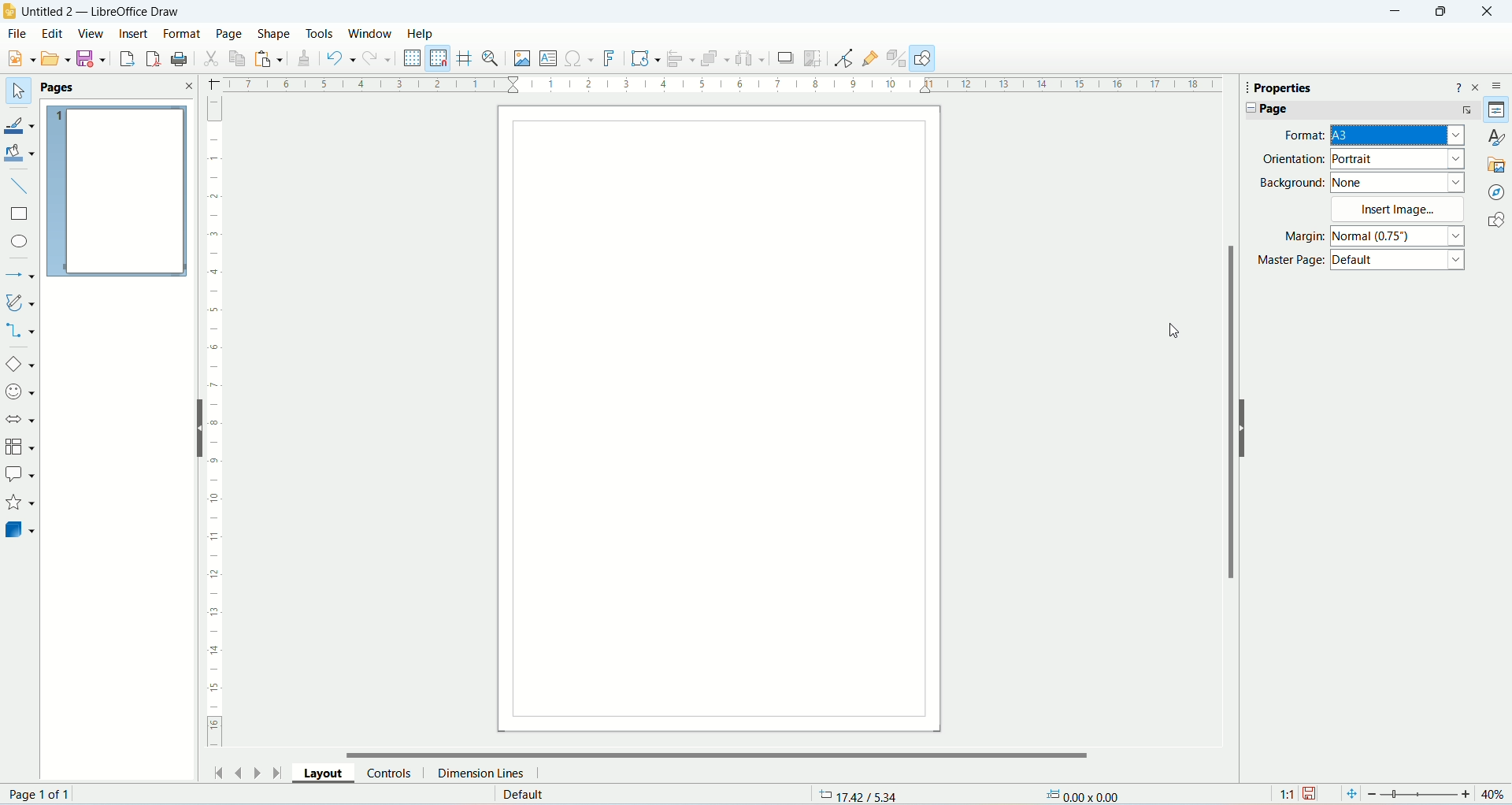 This screenshot has width=1512, height=805. What do you see at coordinates (20, 532) in the screenshot?
I see `3D objects` at bounding box center [20, 532].